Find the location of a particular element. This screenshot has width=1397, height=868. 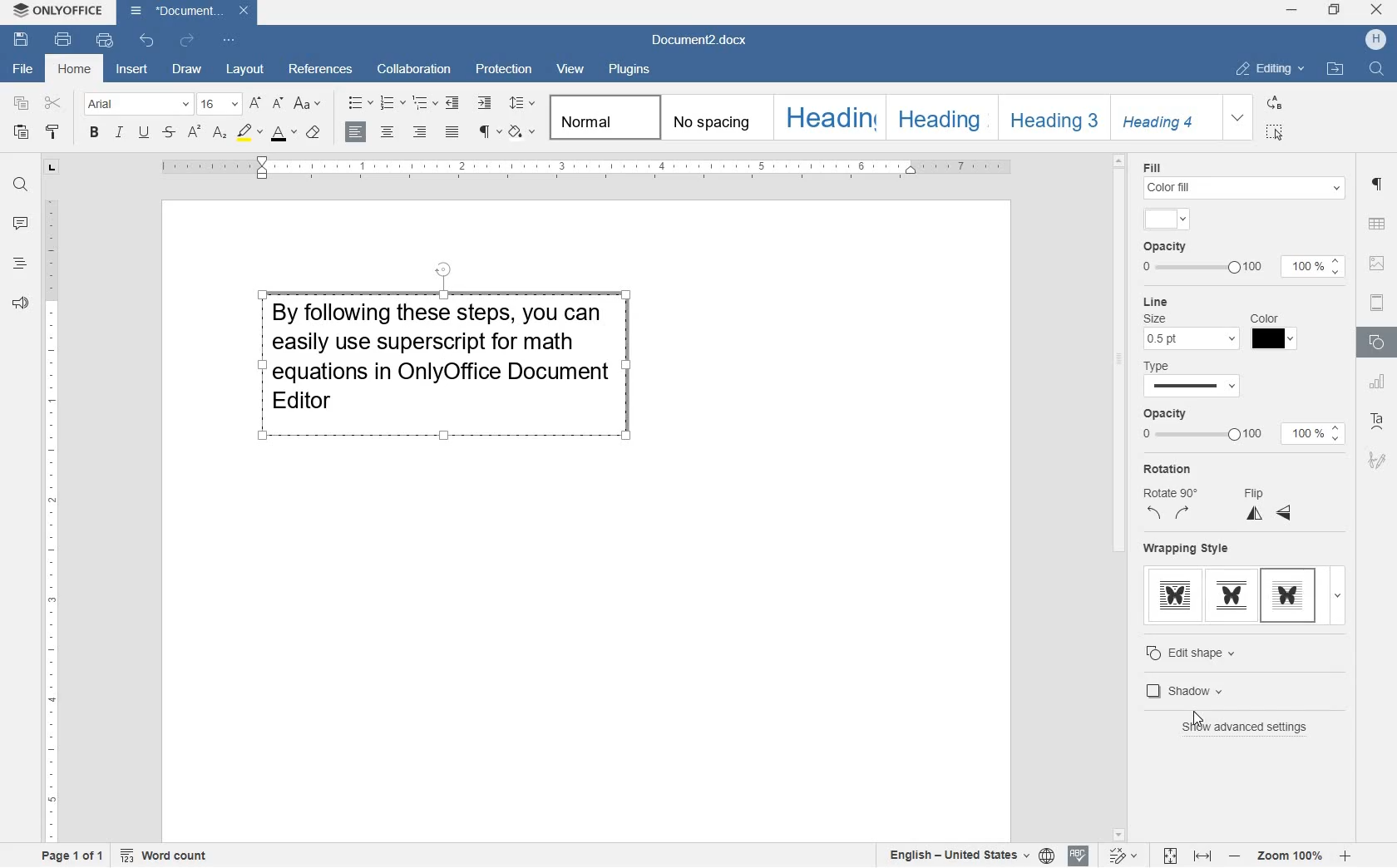

find is located at coordinates (23, 186).